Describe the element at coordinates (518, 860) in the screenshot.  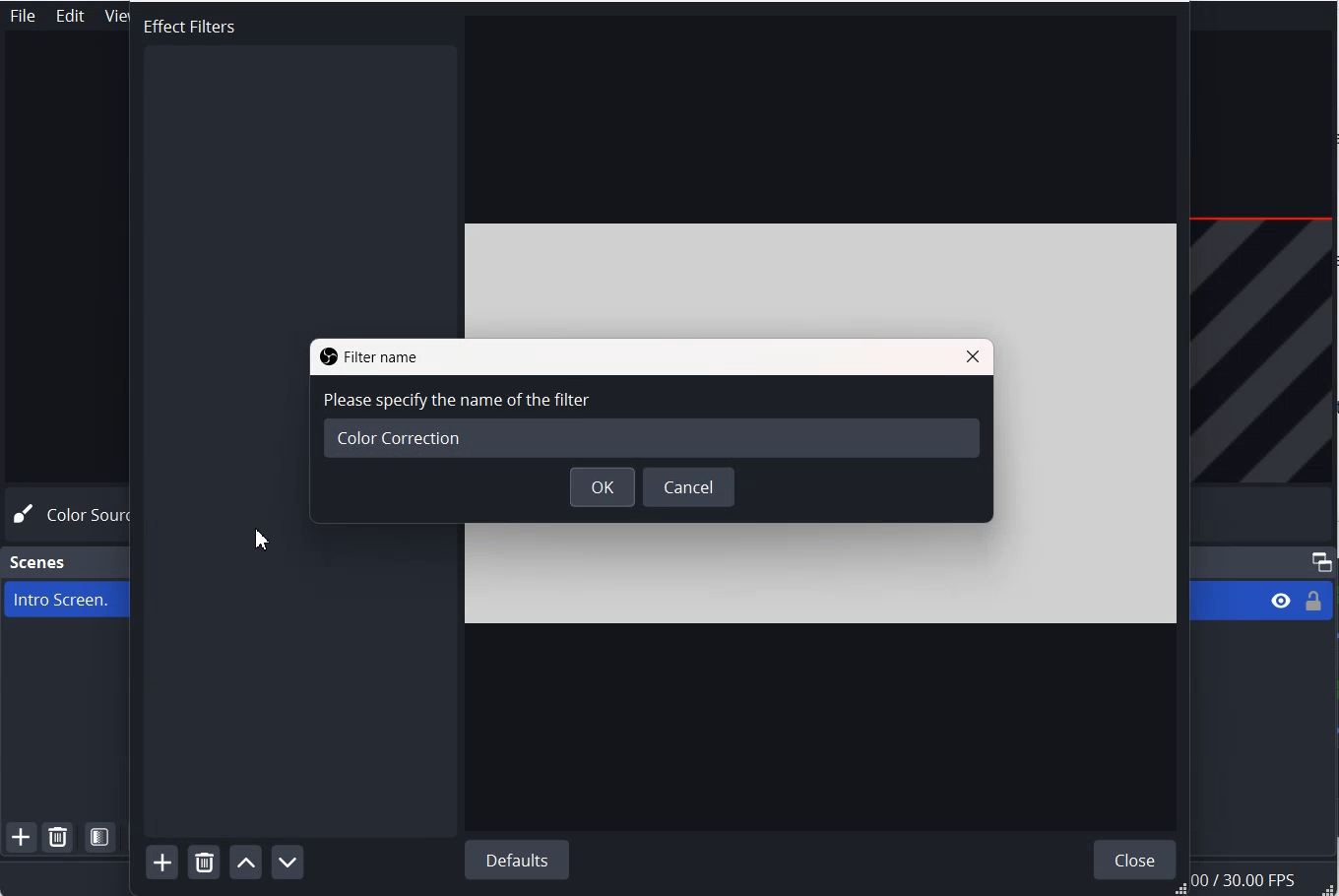
I see `Default` at that location.